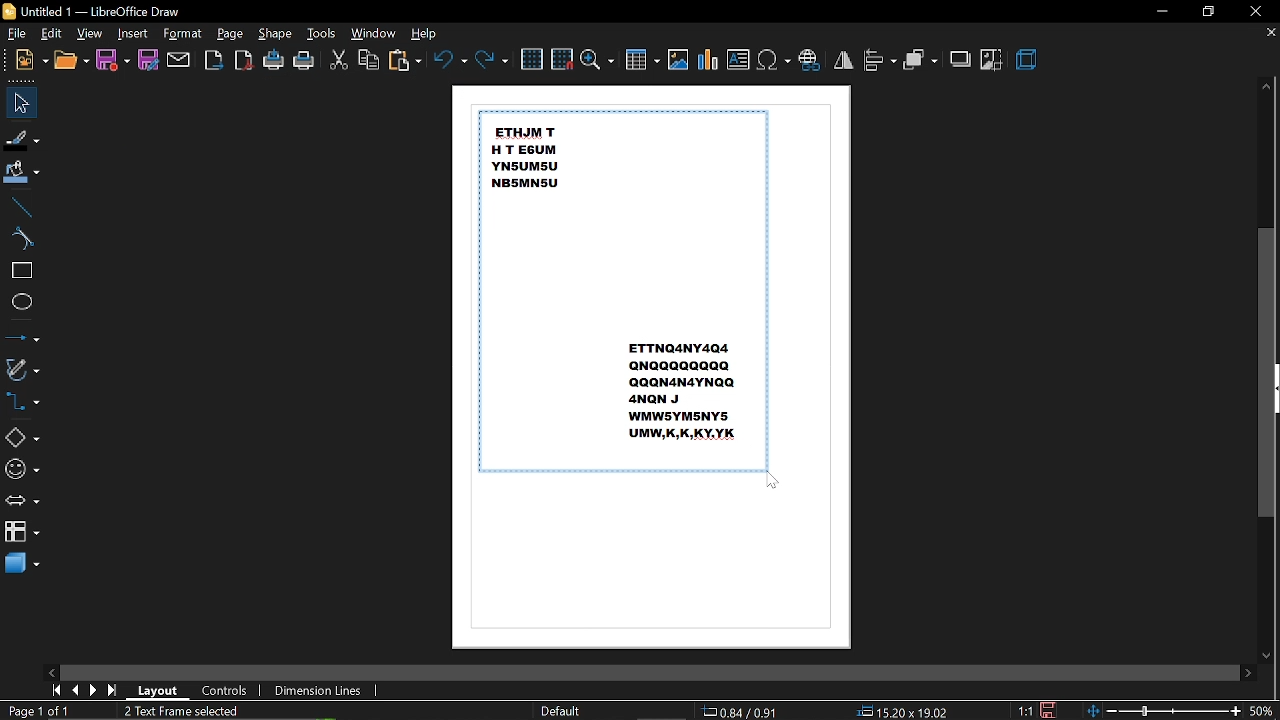 The width and height of the screenshot is (1280, 720). Describe the element at coordinates (738, 60) in the screenshot. I see `insert text` at that location.